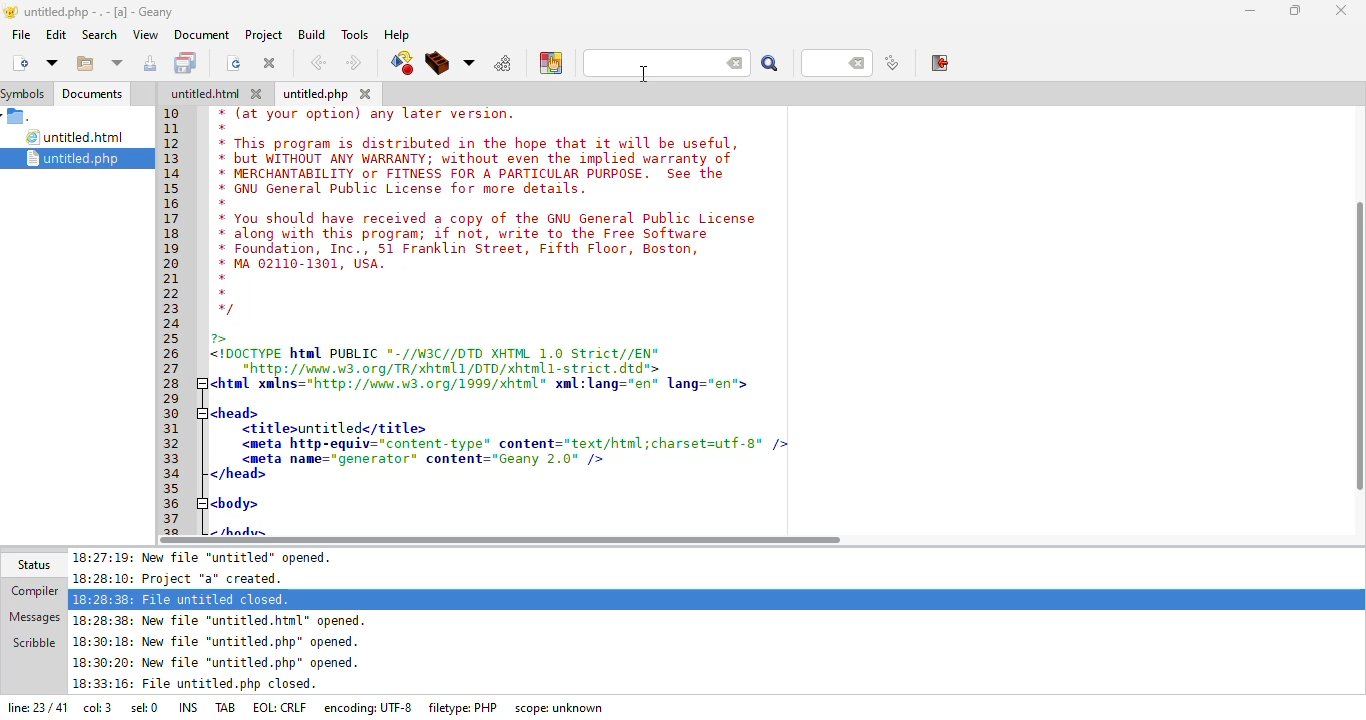  What do you see at coordinates (201, 34) in the screenshot?
I see `document` at bounding box center [201, 34].